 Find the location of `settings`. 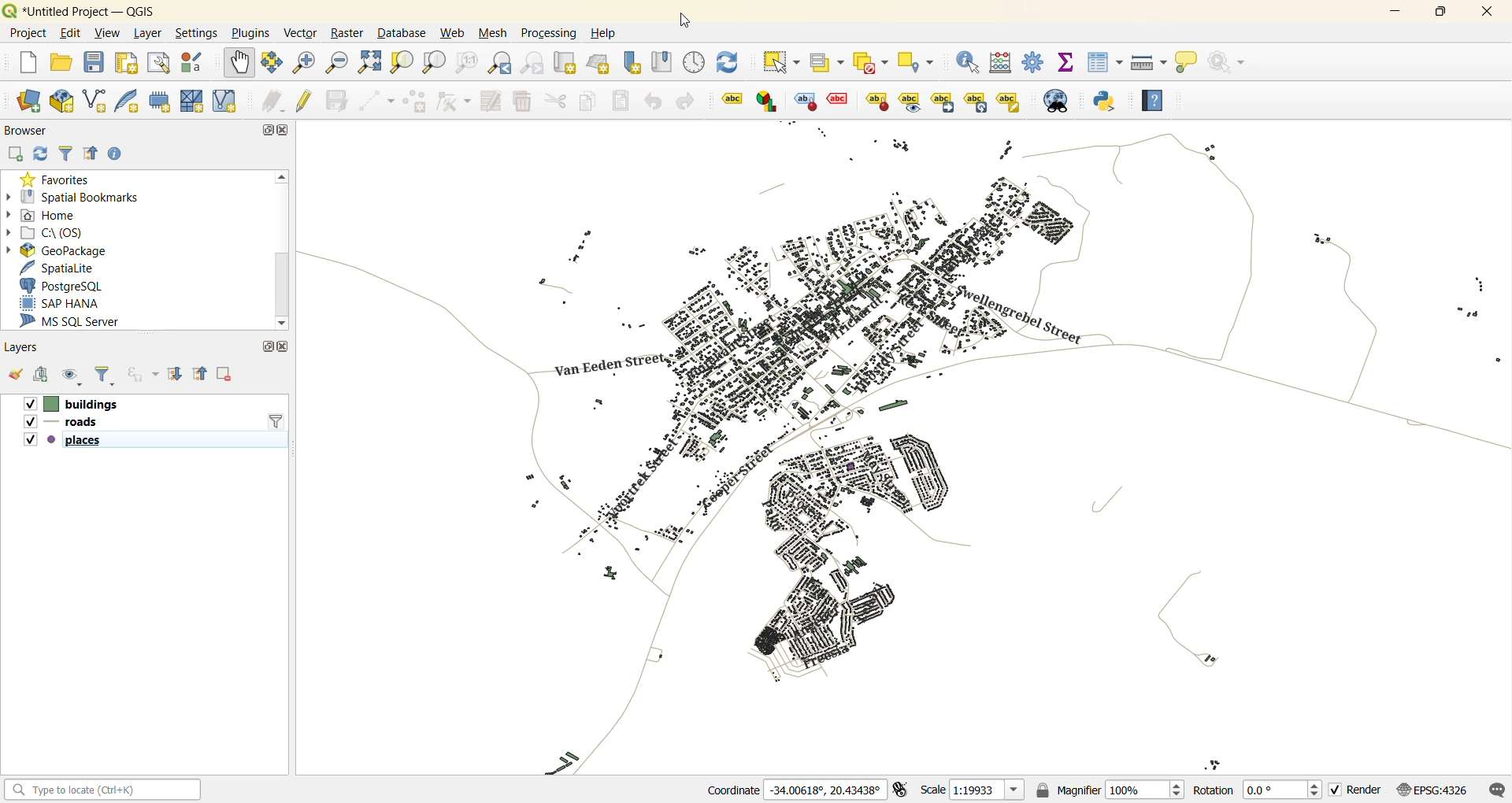

settings is located at coordinates (197, 35).